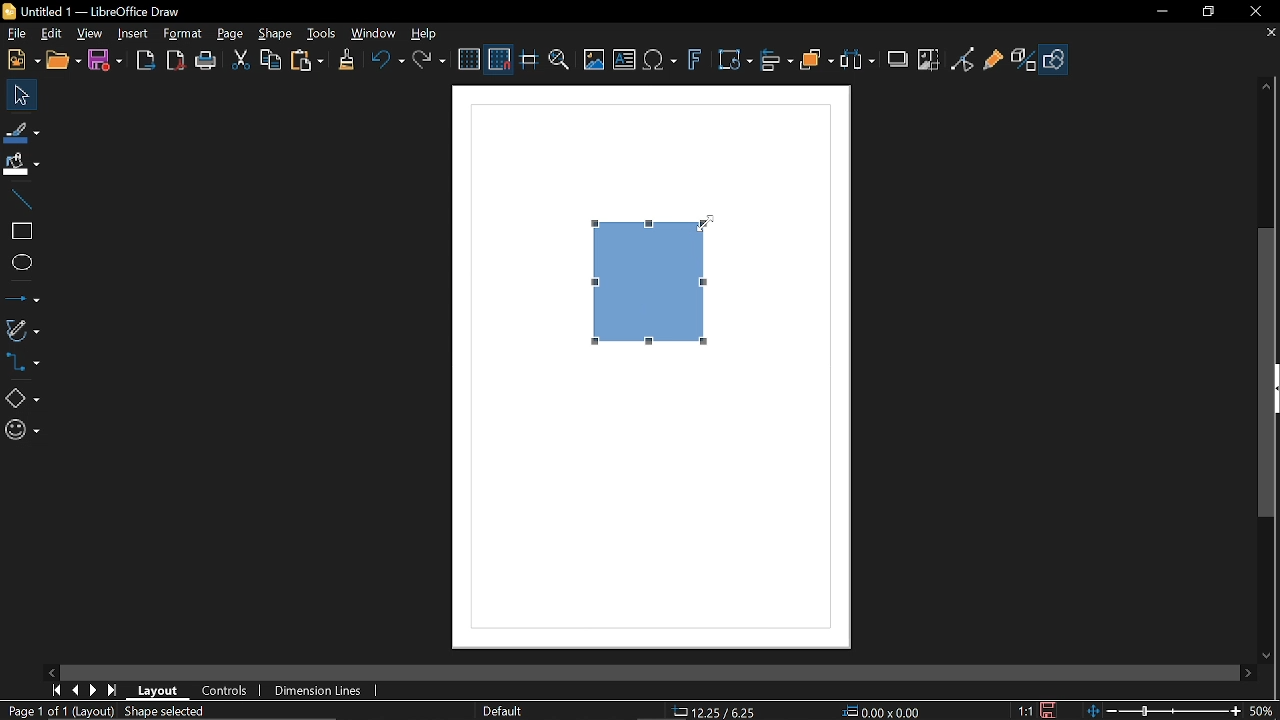  What do you see at coordinates (592, 60) in the screenshot?
I see `Insert image` at bounding box center [592, 60].